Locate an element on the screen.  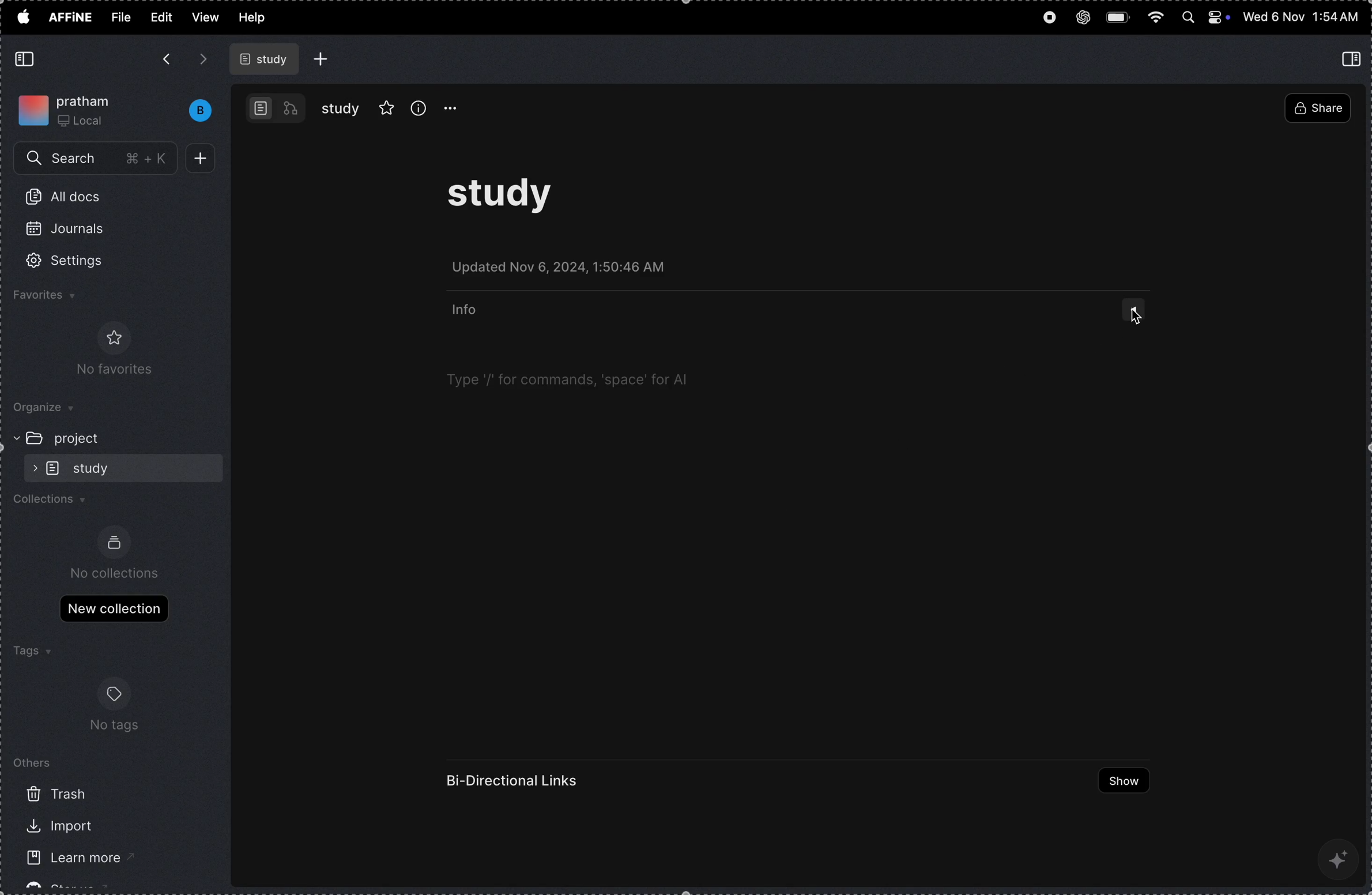
Type / for commands is located at coordinates (570, 379).